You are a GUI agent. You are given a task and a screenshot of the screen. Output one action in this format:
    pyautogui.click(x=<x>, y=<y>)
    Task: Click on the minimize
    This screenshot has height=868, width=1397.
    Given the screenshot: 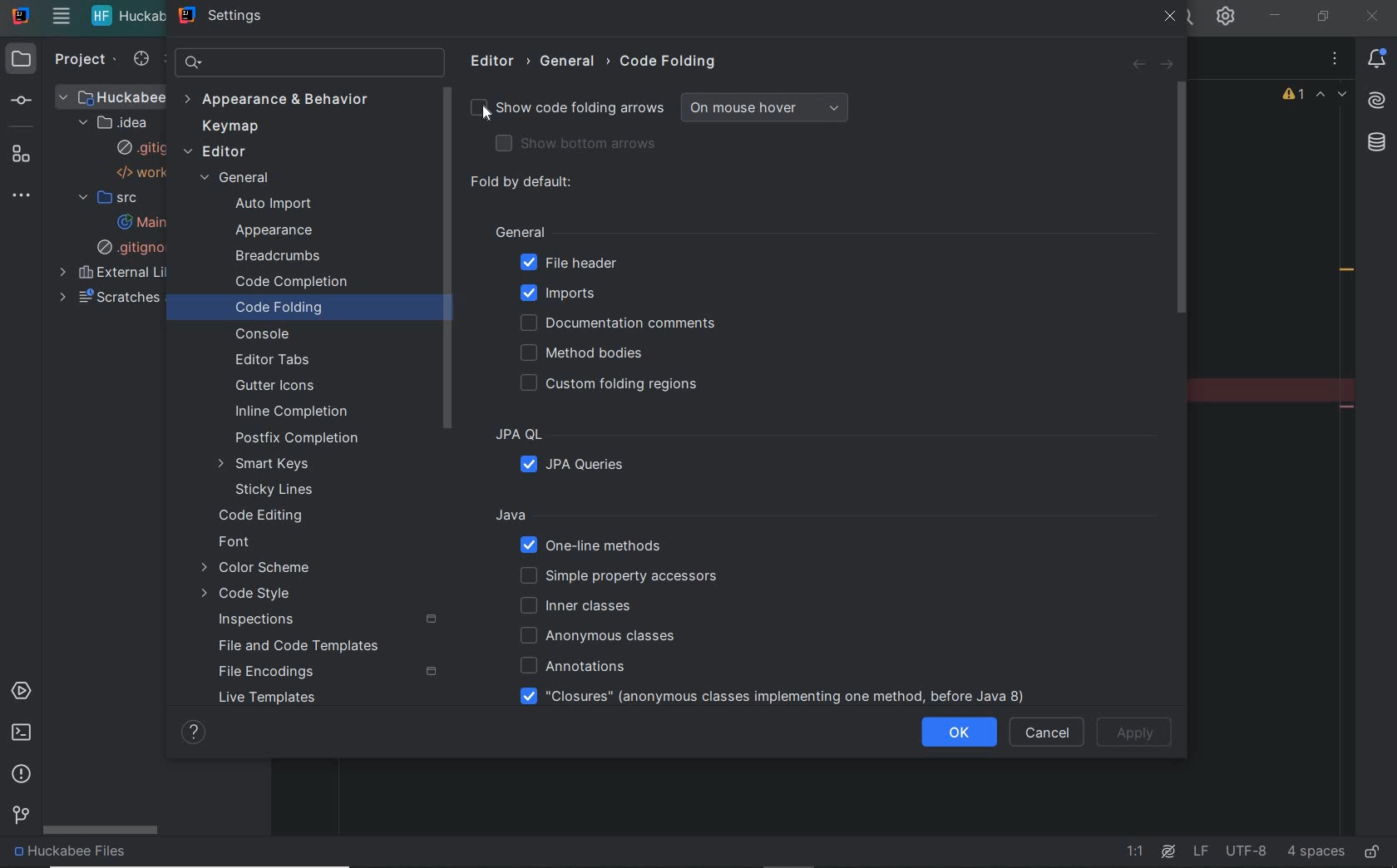 What is the action you would take?
    pyautogui.click(x=1276, y=12)
    